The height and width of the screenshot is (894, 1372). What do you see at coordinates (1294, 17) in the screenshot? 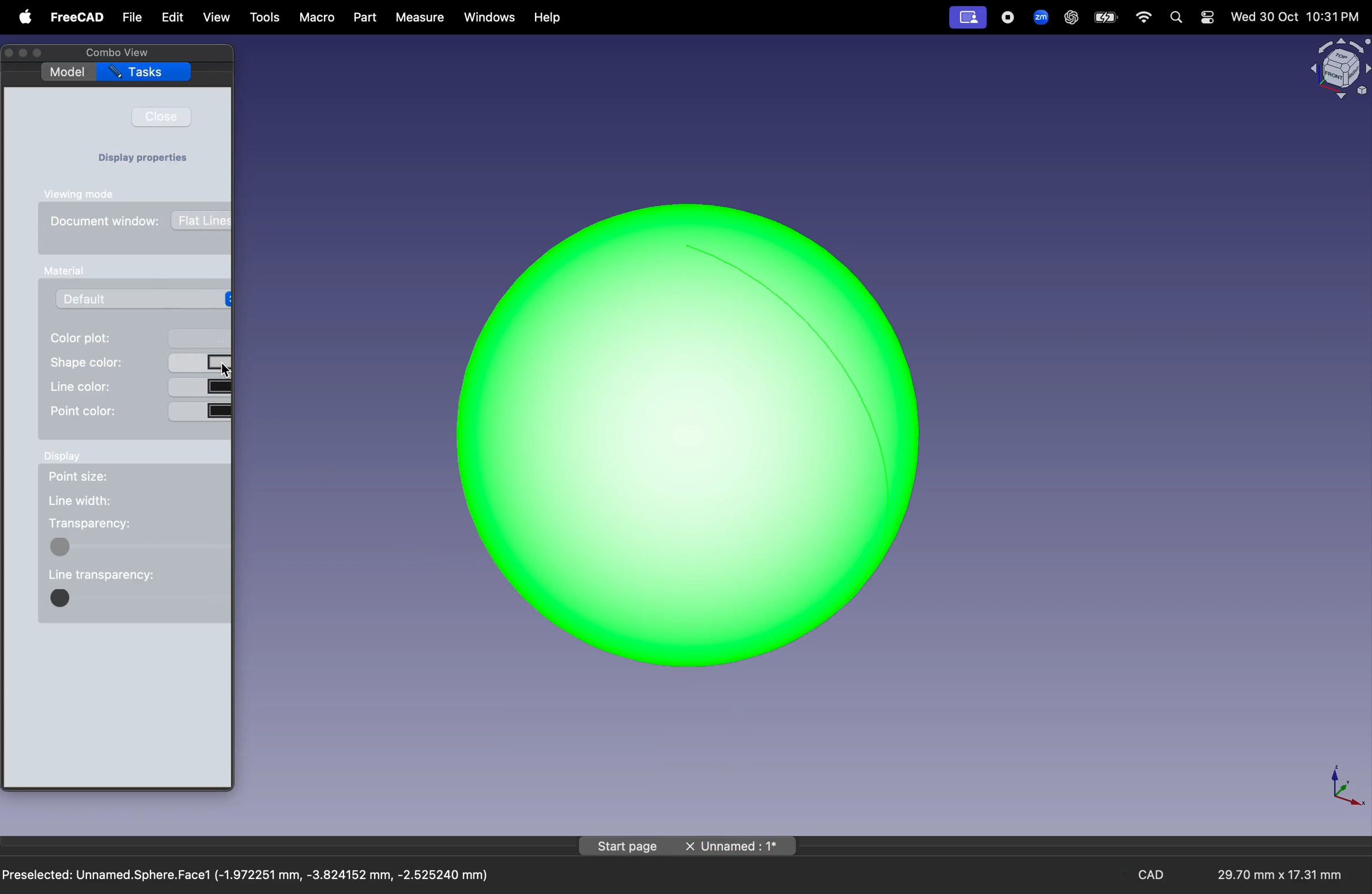
I see `Wed 30 Oct 10:31 PM` at bounding box center [1294, 17].